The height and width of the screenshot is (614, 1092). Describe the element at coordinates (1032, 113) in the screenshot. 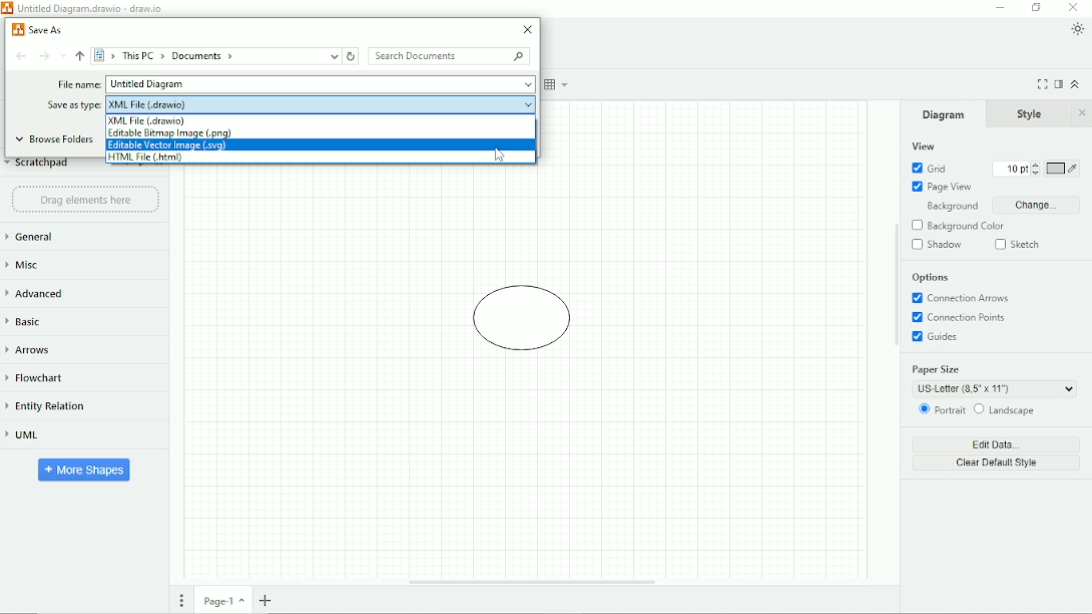

I see `Style` at that location.